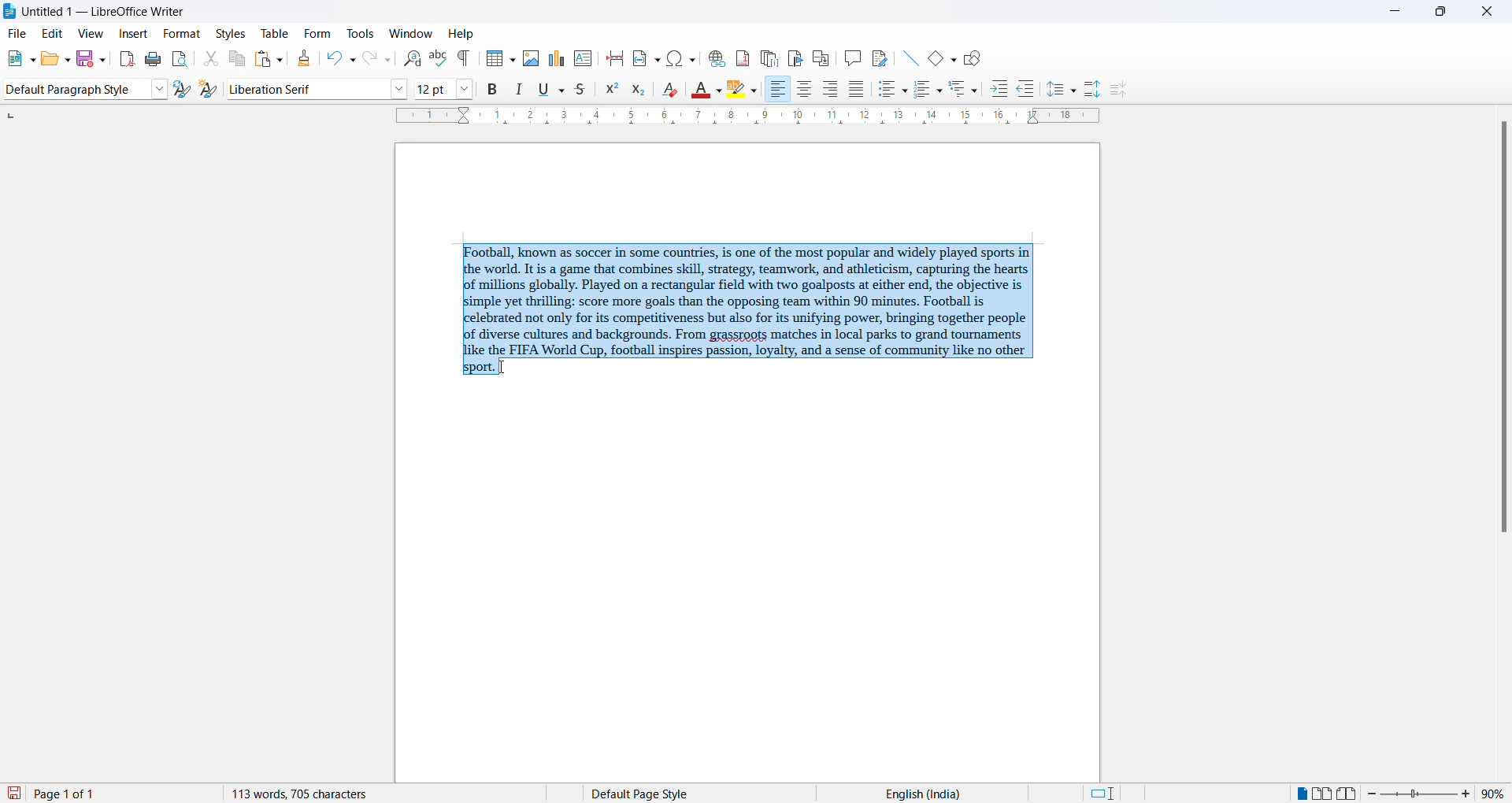  I want to click on create new style from selections, so click(209, 89).